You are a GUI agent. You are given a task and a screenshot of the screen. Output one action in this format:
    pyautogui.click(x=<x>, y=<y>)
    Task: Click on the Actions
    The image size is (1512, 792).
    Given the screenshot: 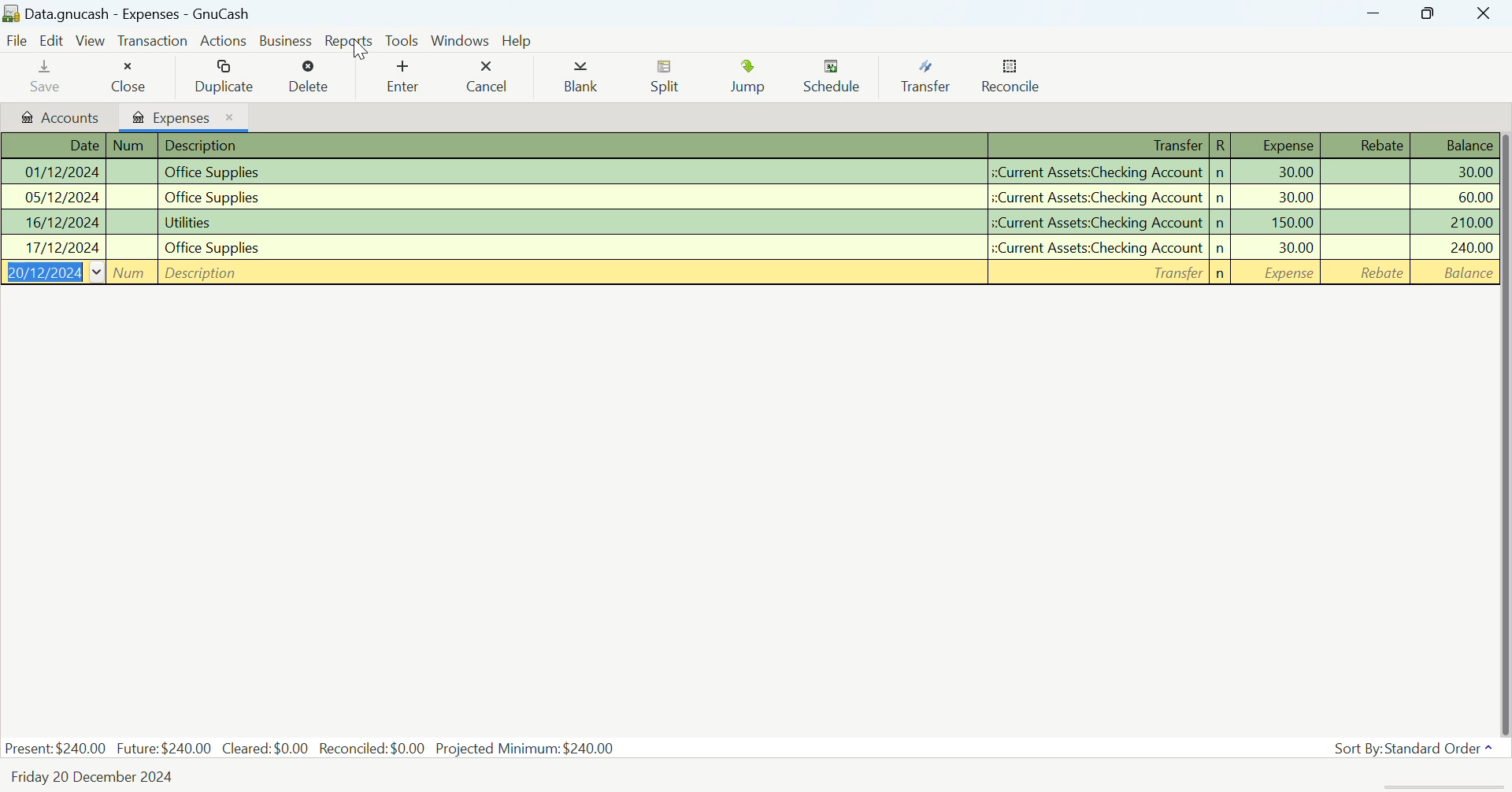 What is the action you would take?
    pyautogui.click(x=223, y=41)
    